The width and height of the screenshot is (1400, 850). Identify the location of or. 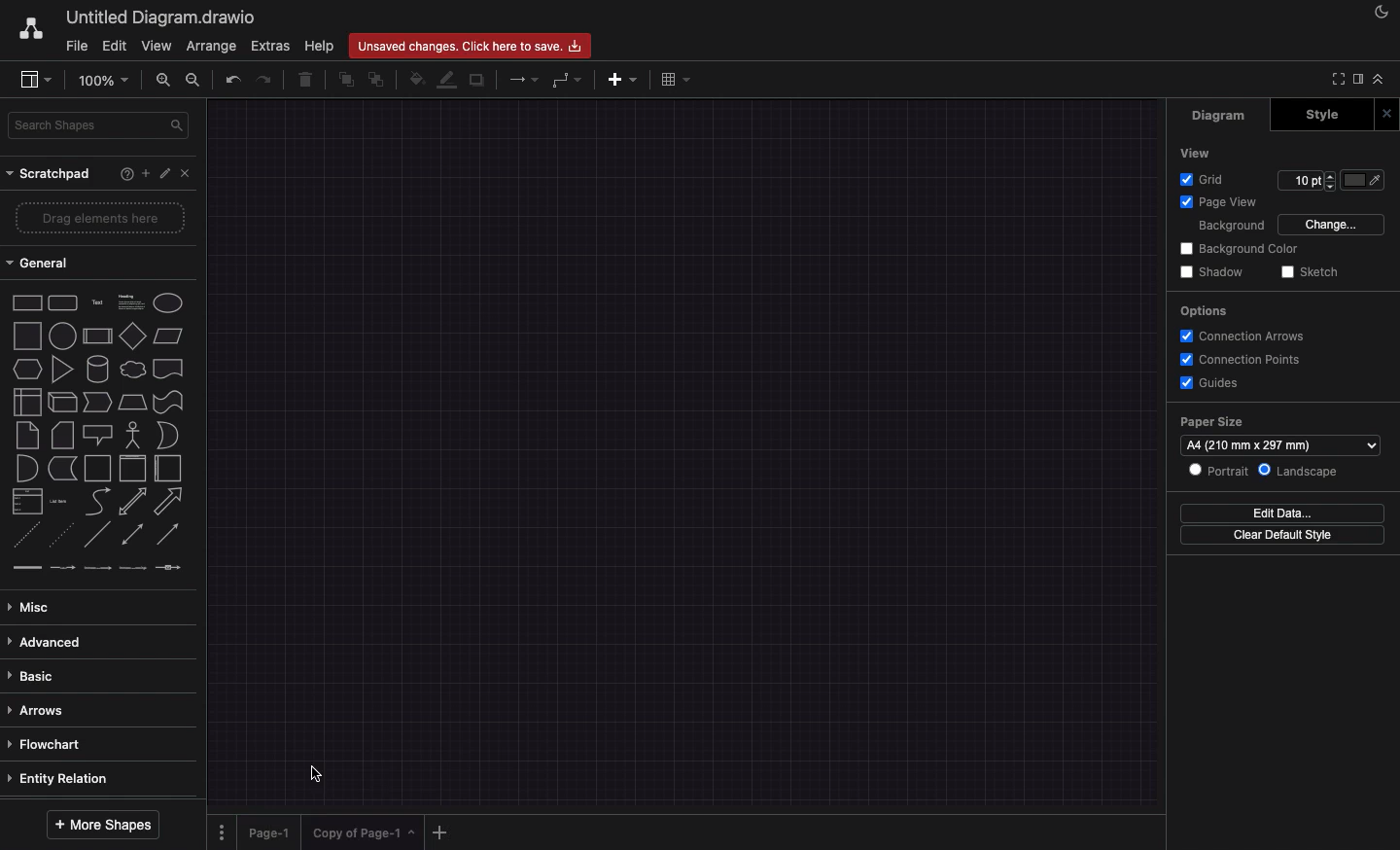
(171, 436).